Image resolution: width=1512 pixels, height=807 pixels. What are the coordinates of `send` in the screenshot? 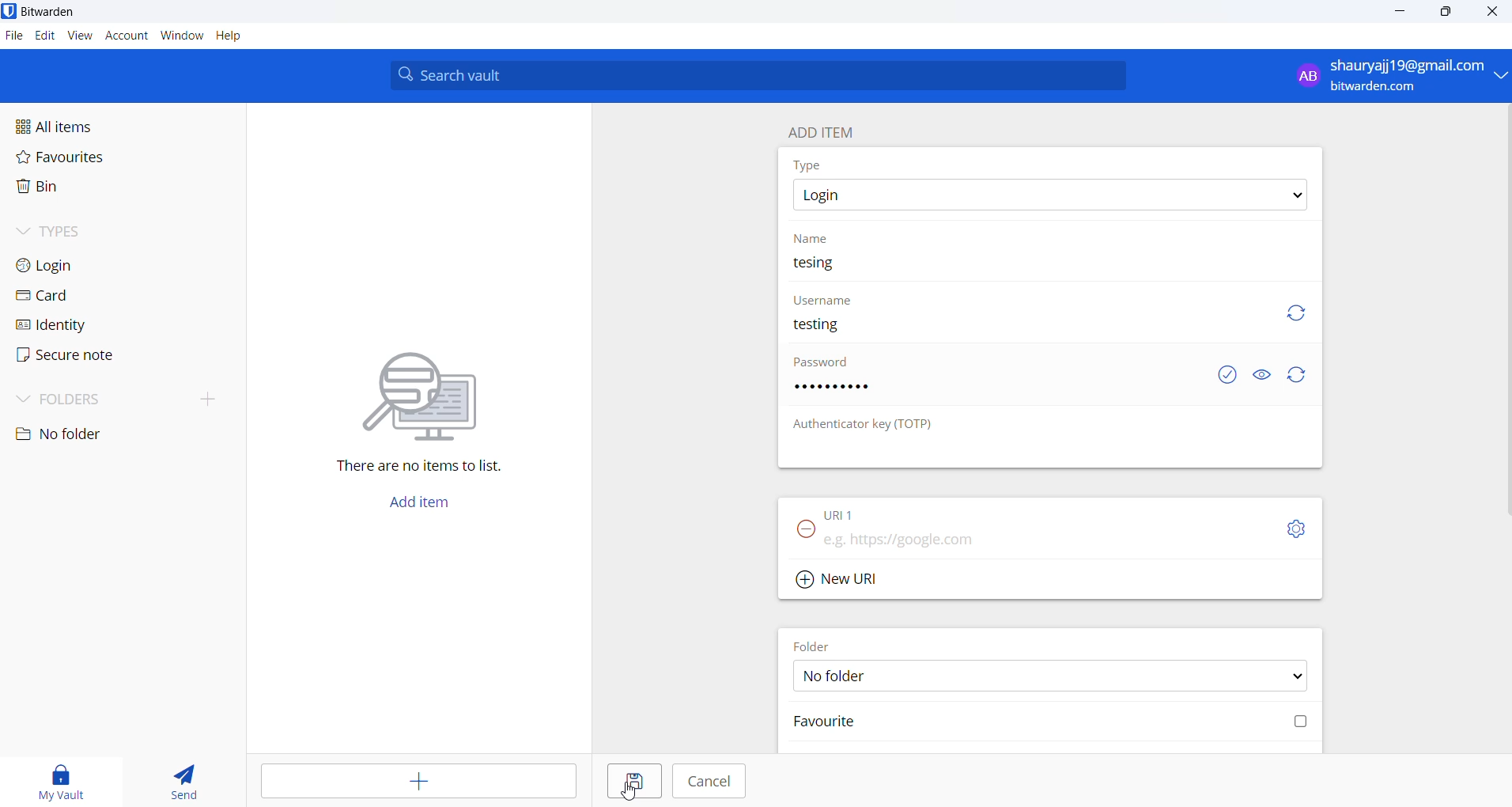 It's located at (176, 777).